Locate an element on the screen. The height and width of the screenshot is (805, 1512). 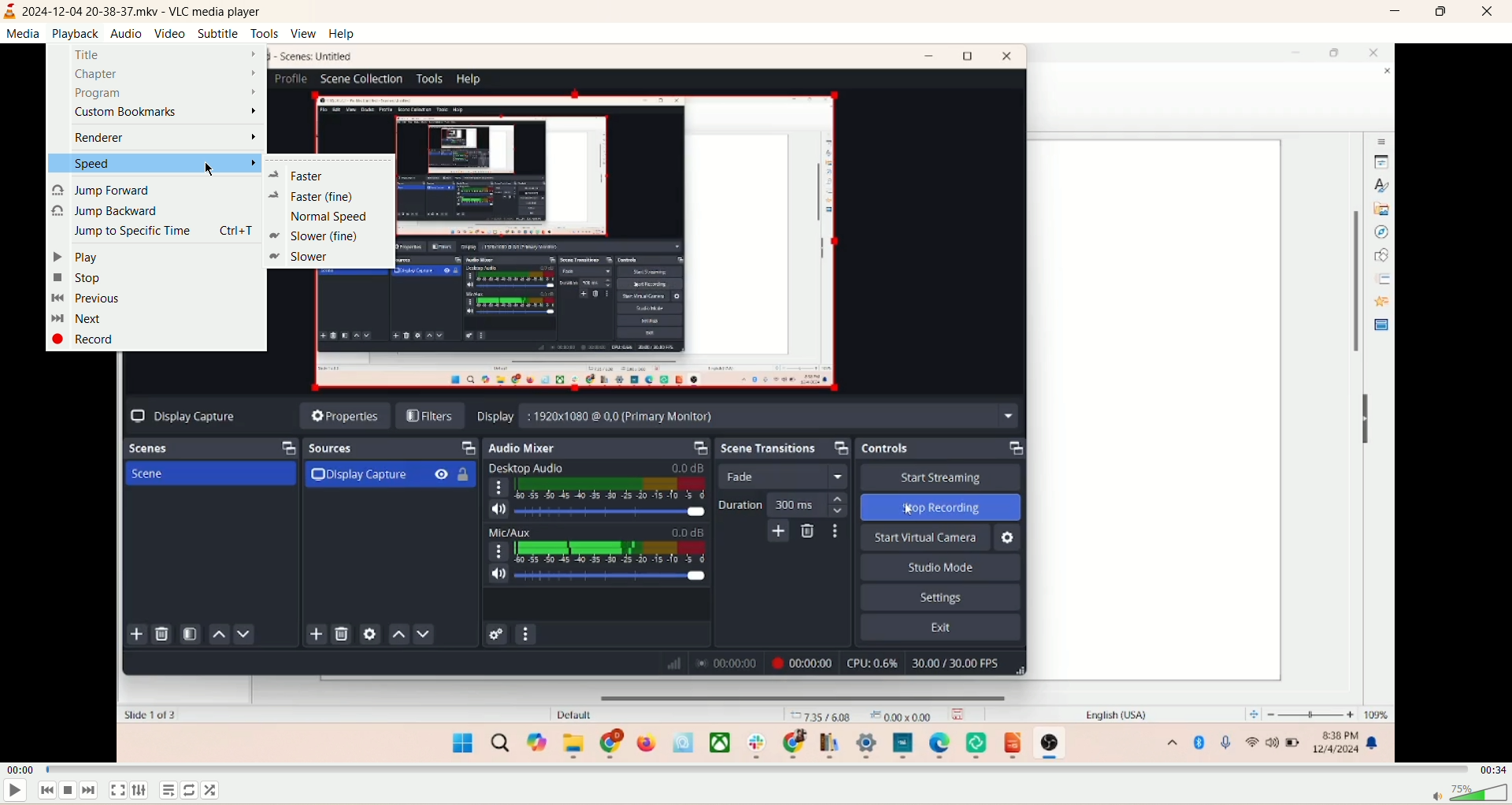
slower is located at coordinates (299, 258).